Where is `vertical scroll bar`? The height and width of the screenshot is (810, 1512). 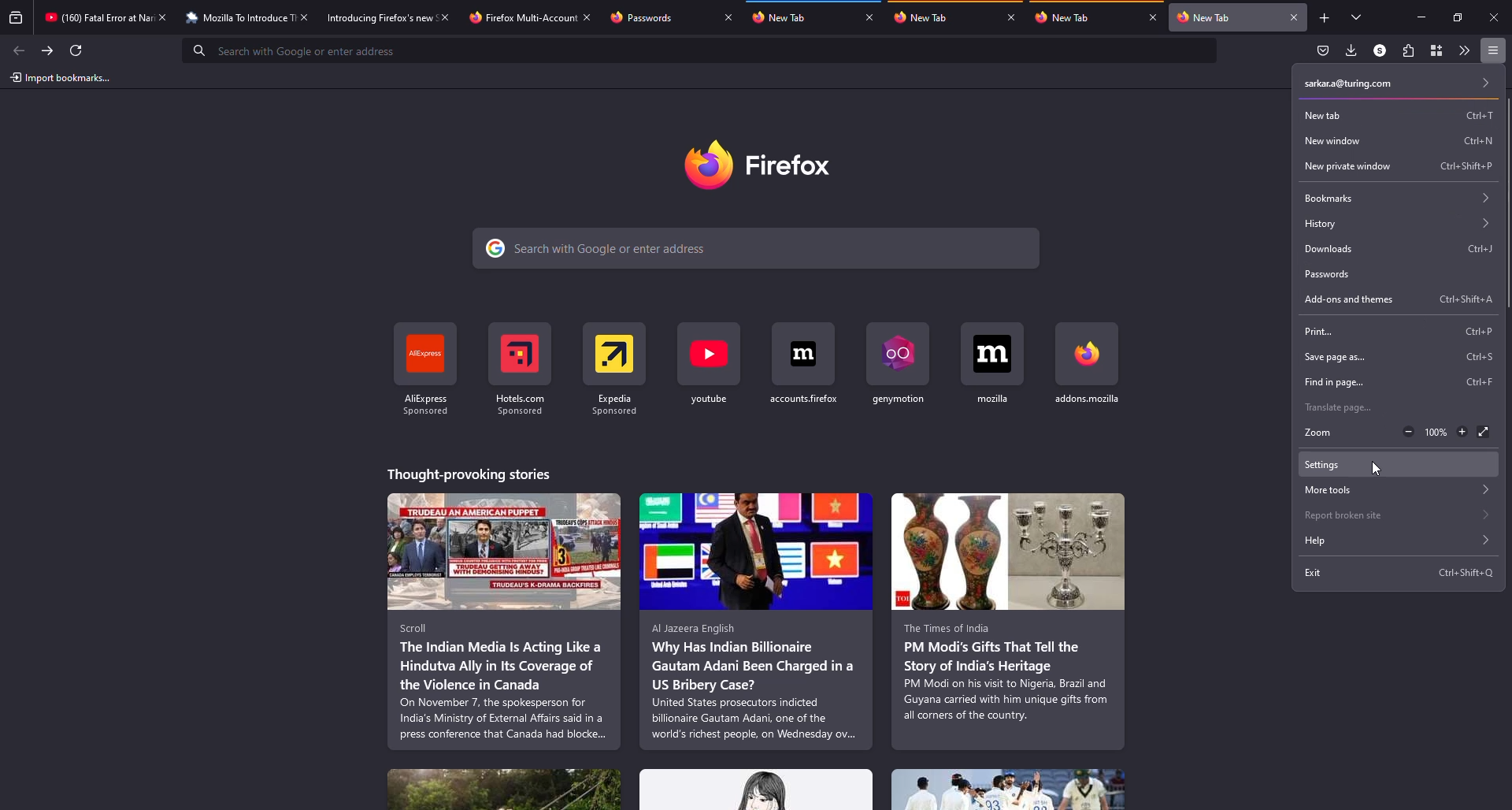
vertical scroll bar is located at coordinates (1511, 202).